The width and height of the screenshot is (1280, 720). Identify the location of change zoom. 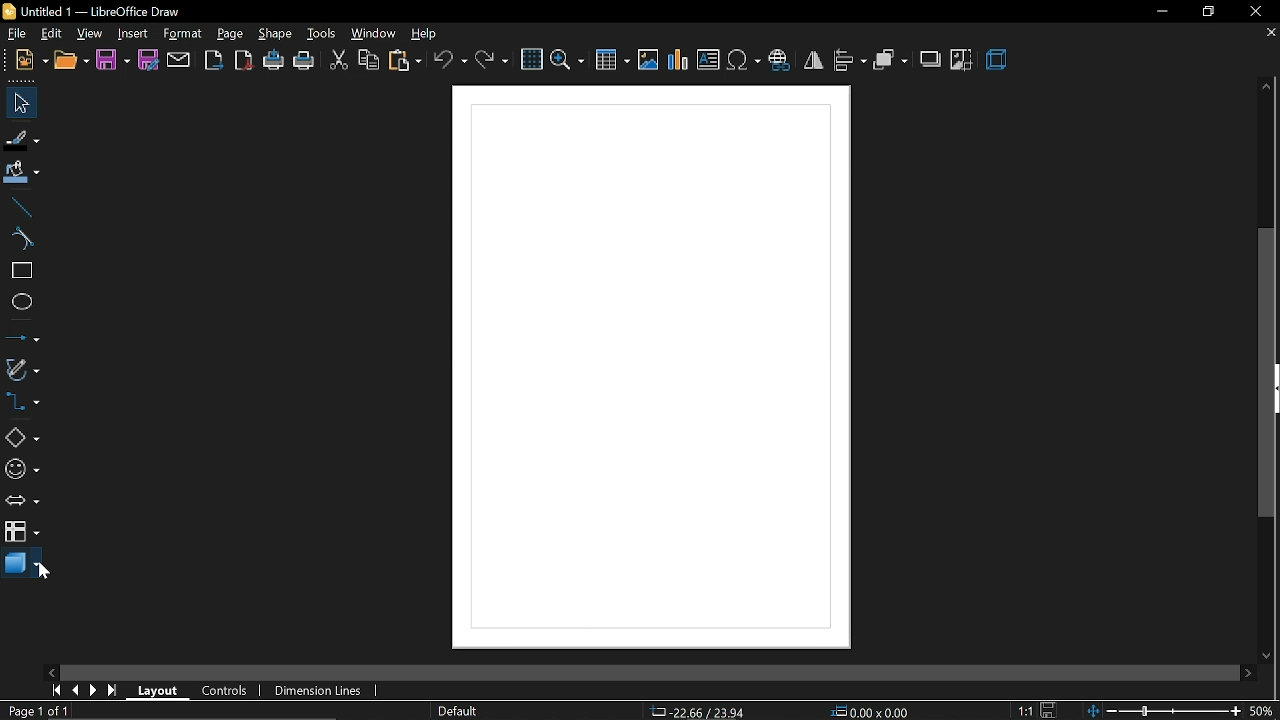
(1164, 712).